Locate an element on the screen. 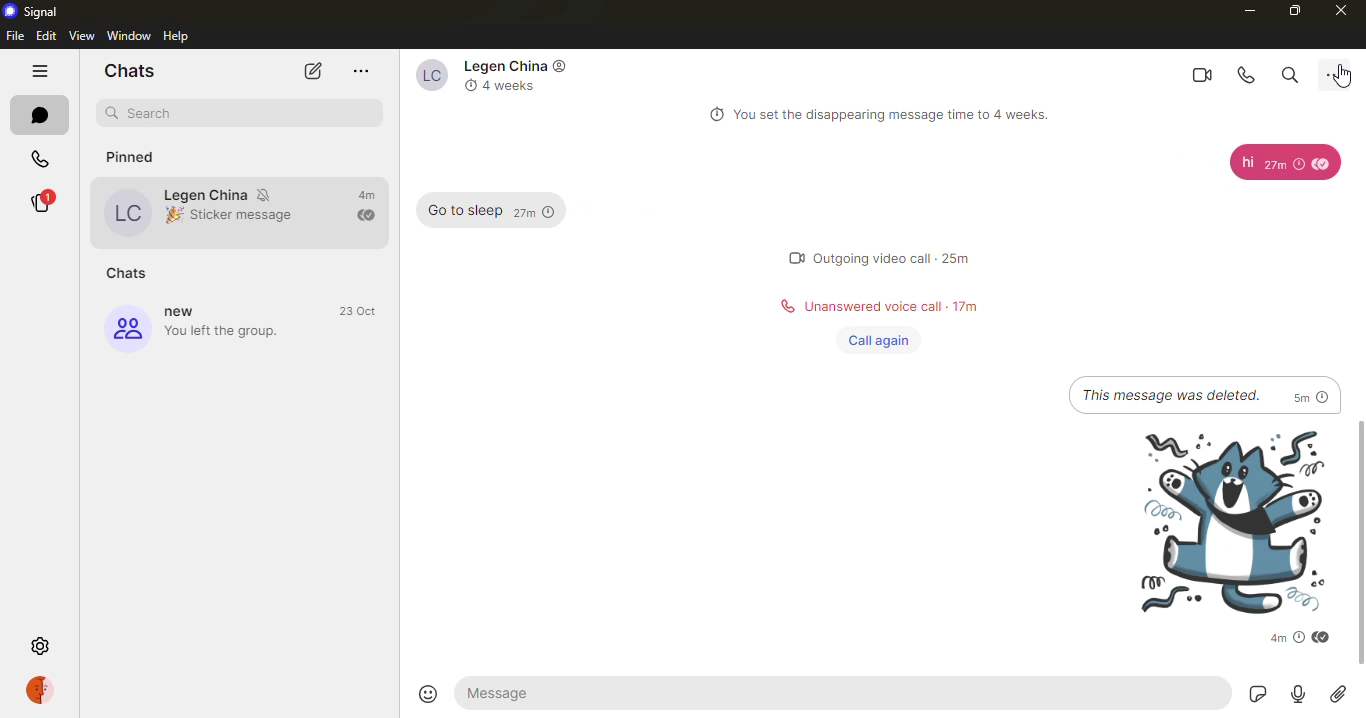  time is located at coordinates (958, 258).